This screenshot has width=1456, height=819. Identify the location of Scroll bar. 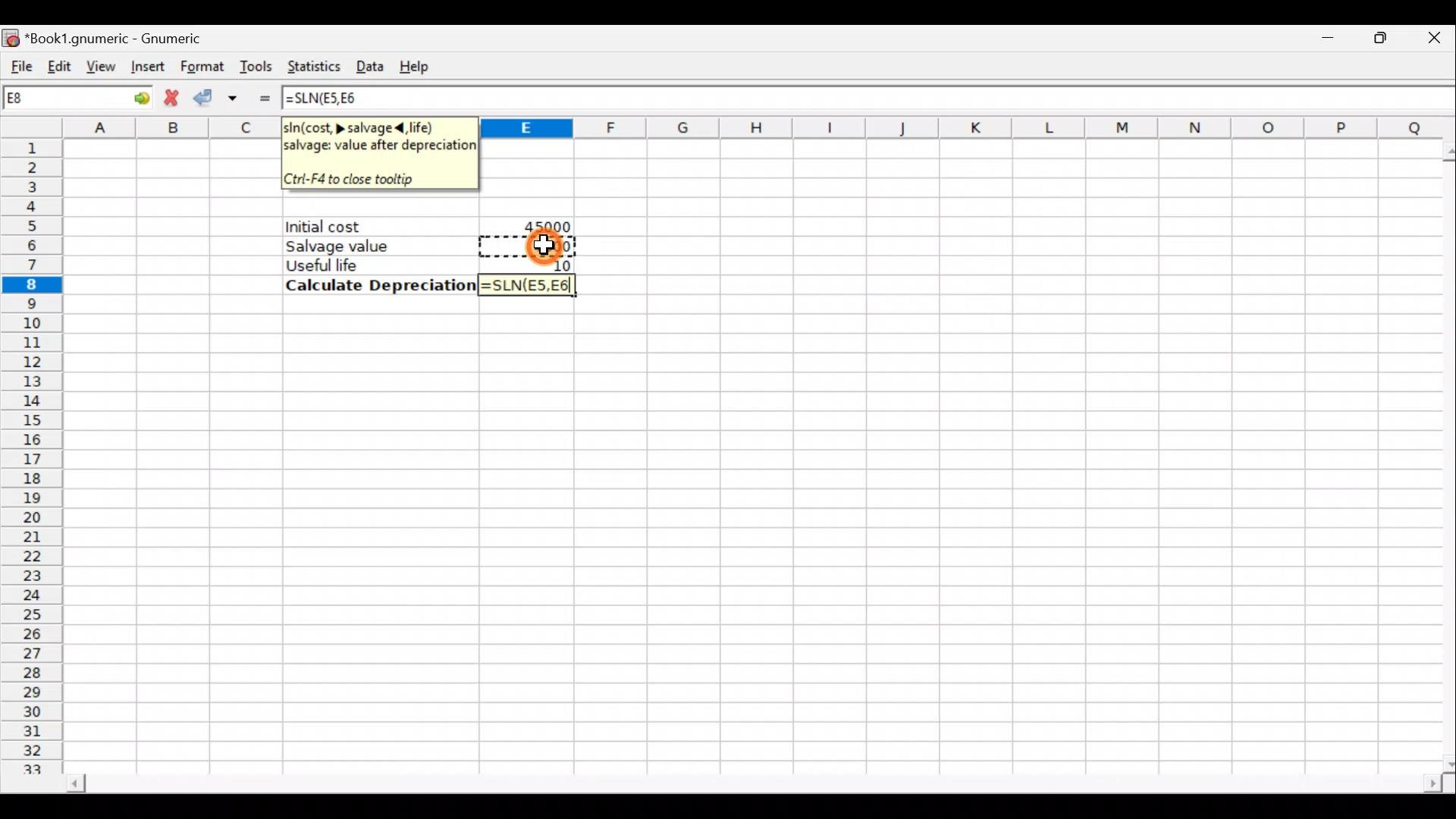
(1442, 452).